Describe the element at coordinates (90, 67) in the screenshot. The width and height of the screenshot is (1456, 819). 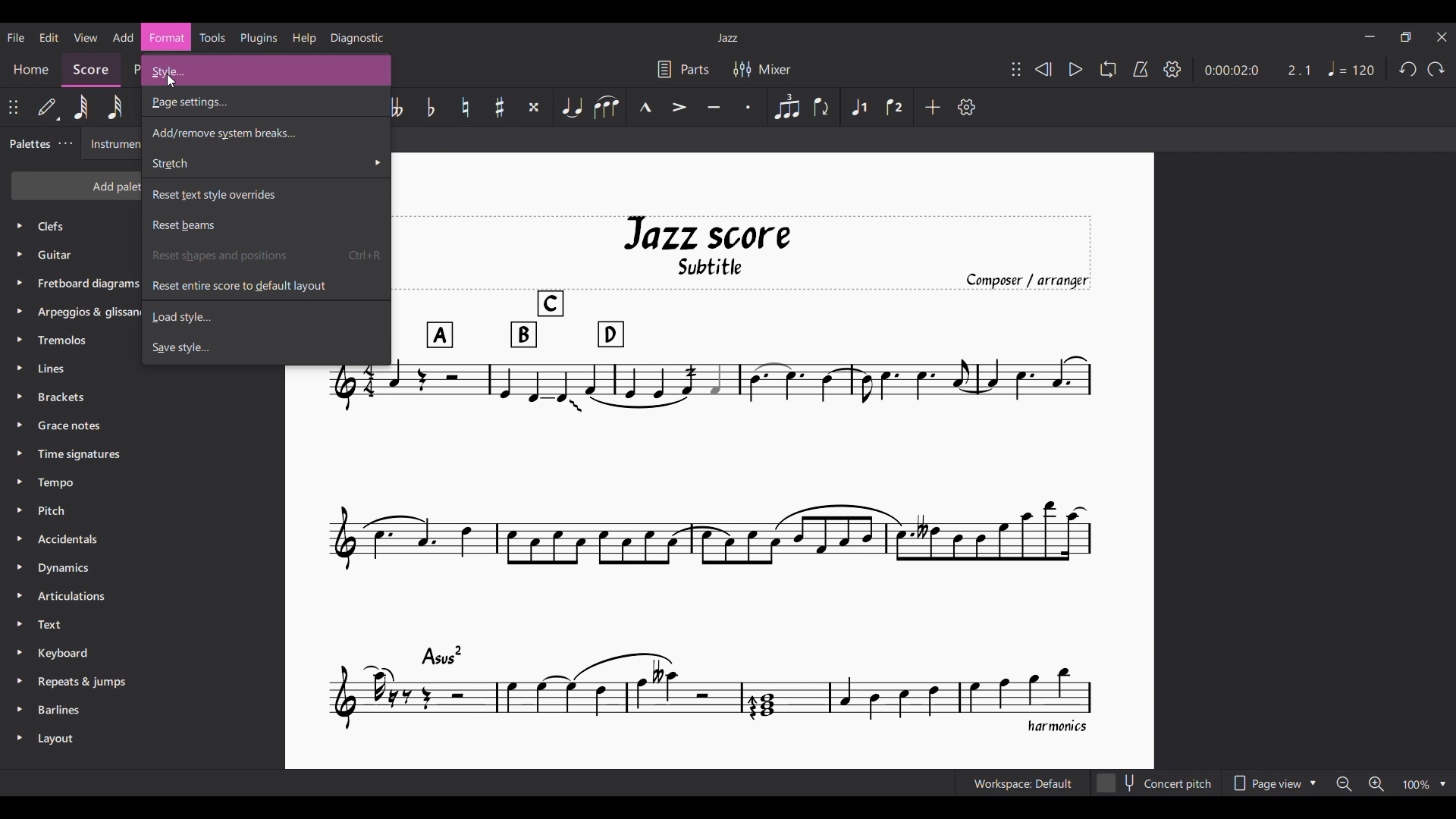
I see `Score, current section highlighted` at that location.